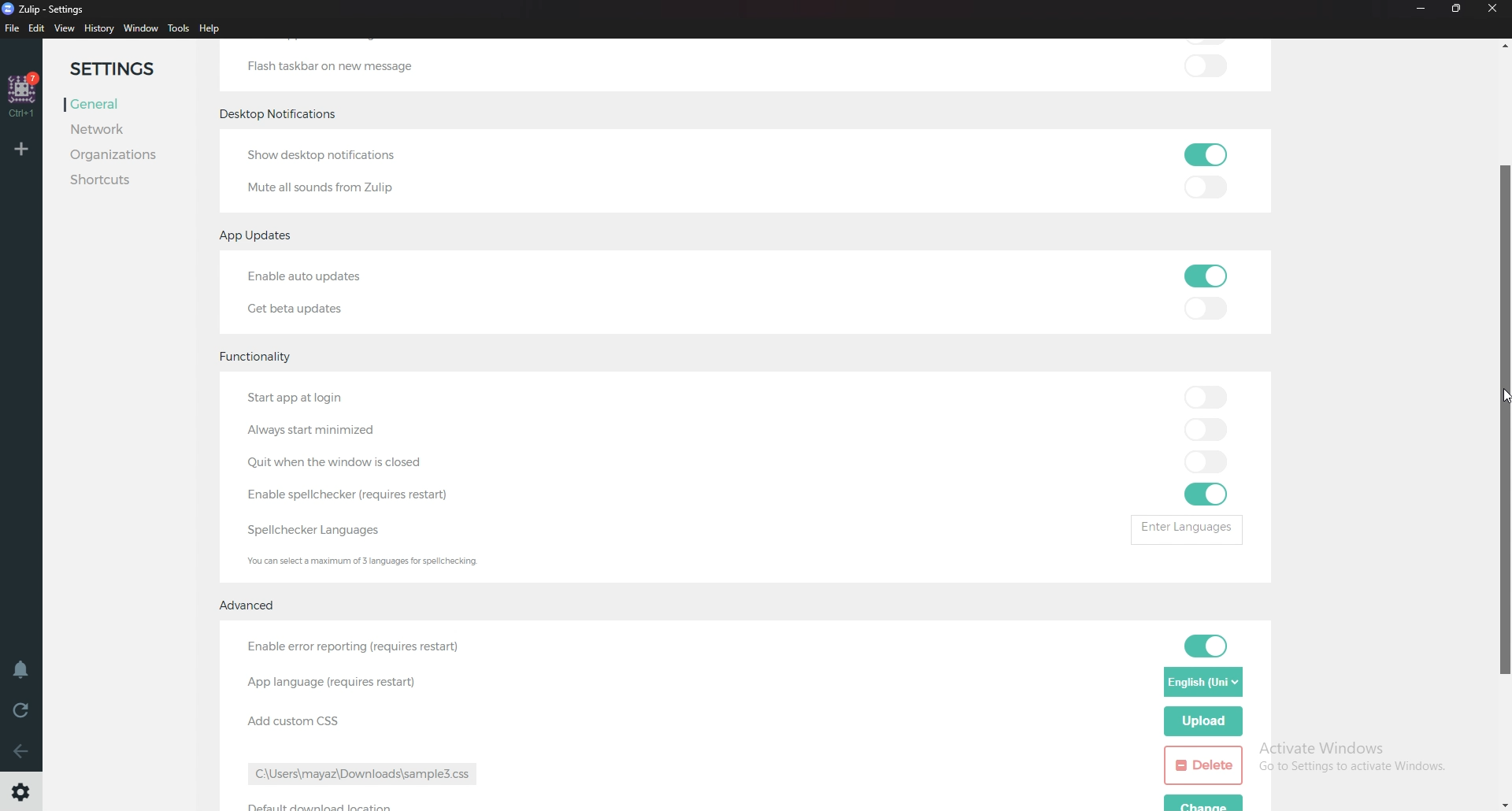  What do you see at coordinates (22, 95) in the screenshot?
I see `home` at bounding box center [22, 95].